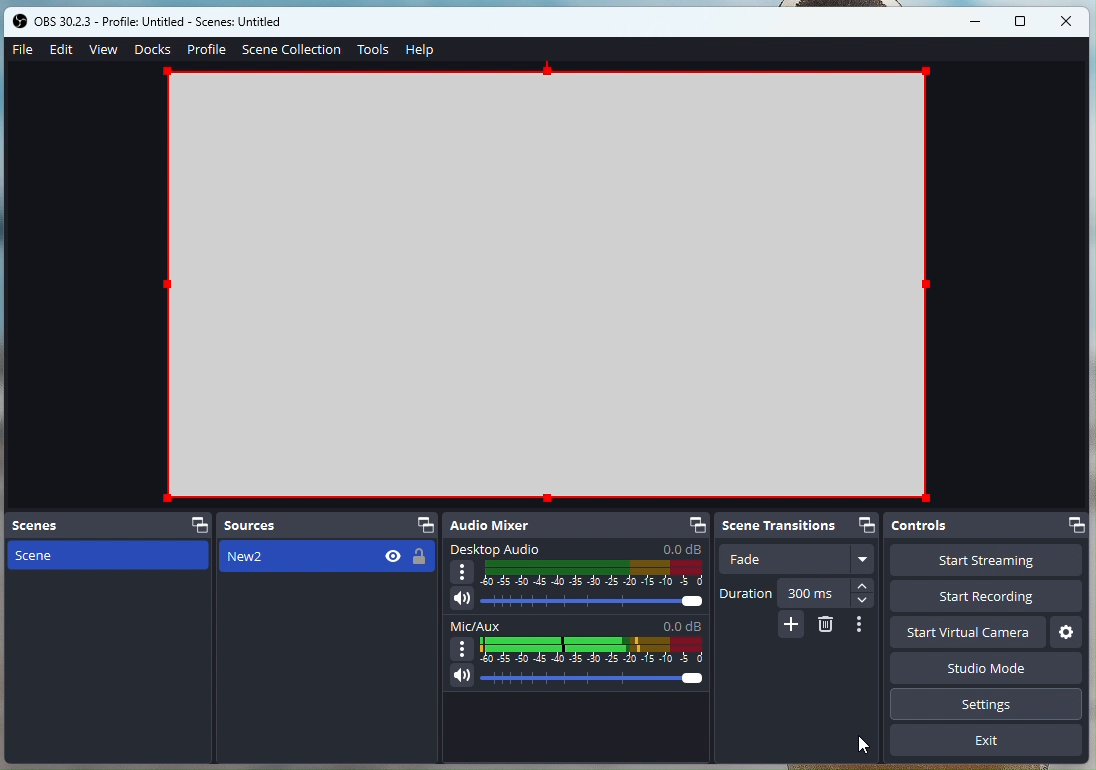 This screenshot has height=770, width=1096. What do you see at coordinates (780, 525) in the screenshot?
I see `Scene Transitions` at bounding box center [780, 525].